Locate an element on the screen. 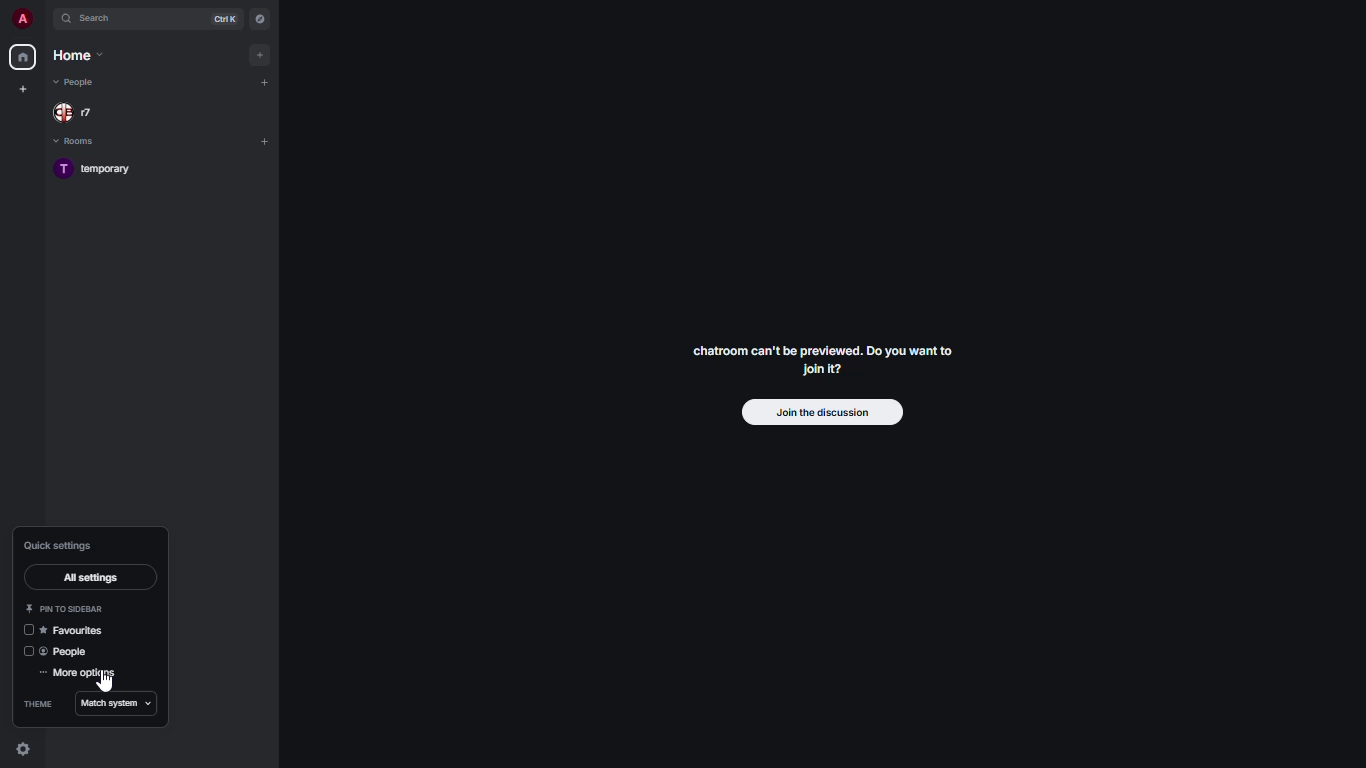  ctrl K is located at coordinates (226, 18).